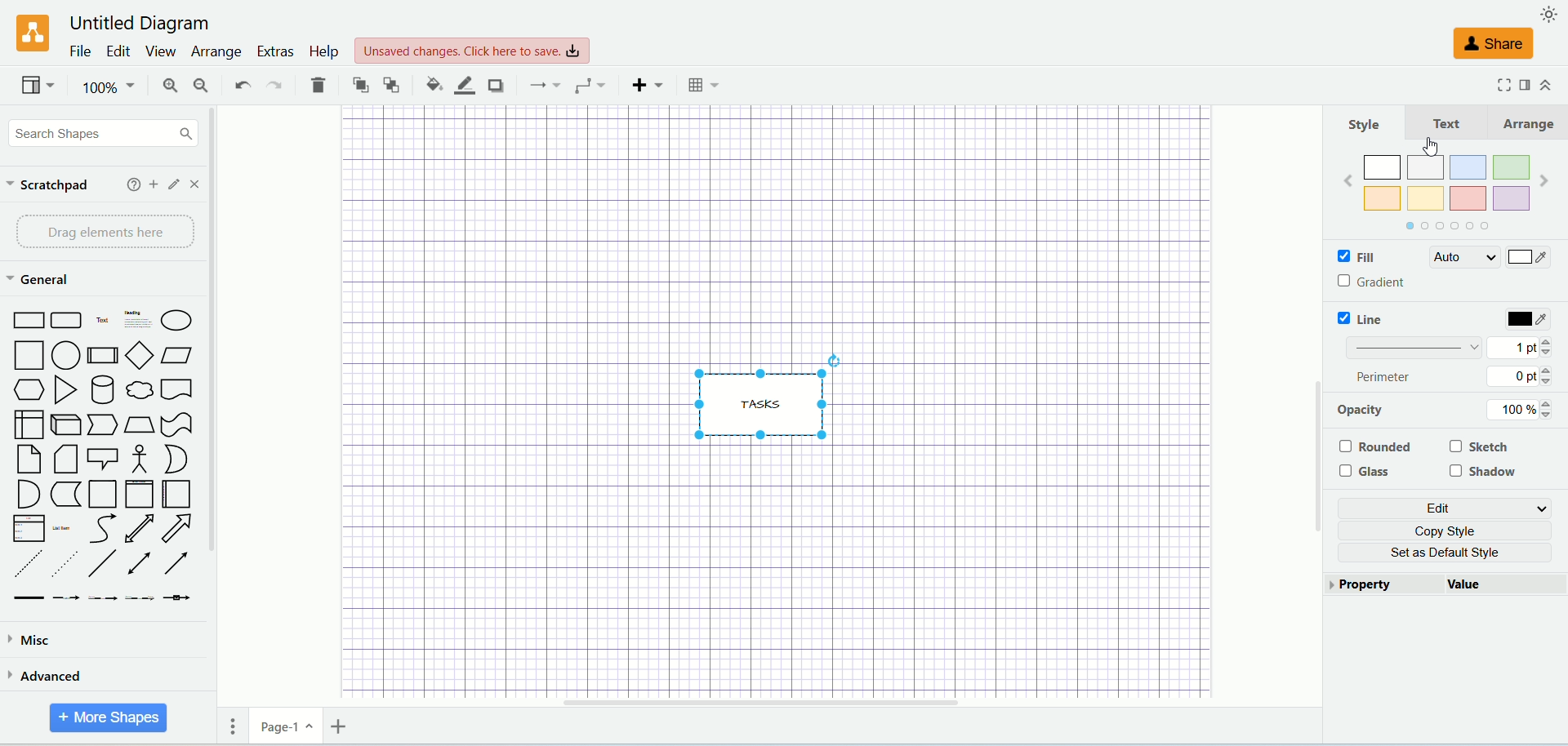 The height and width of the screenshot is (746, 1568). What do you see at coordinates (60, 526) in the screenshot?
I see `List Item` at bounding box center [60, 526].